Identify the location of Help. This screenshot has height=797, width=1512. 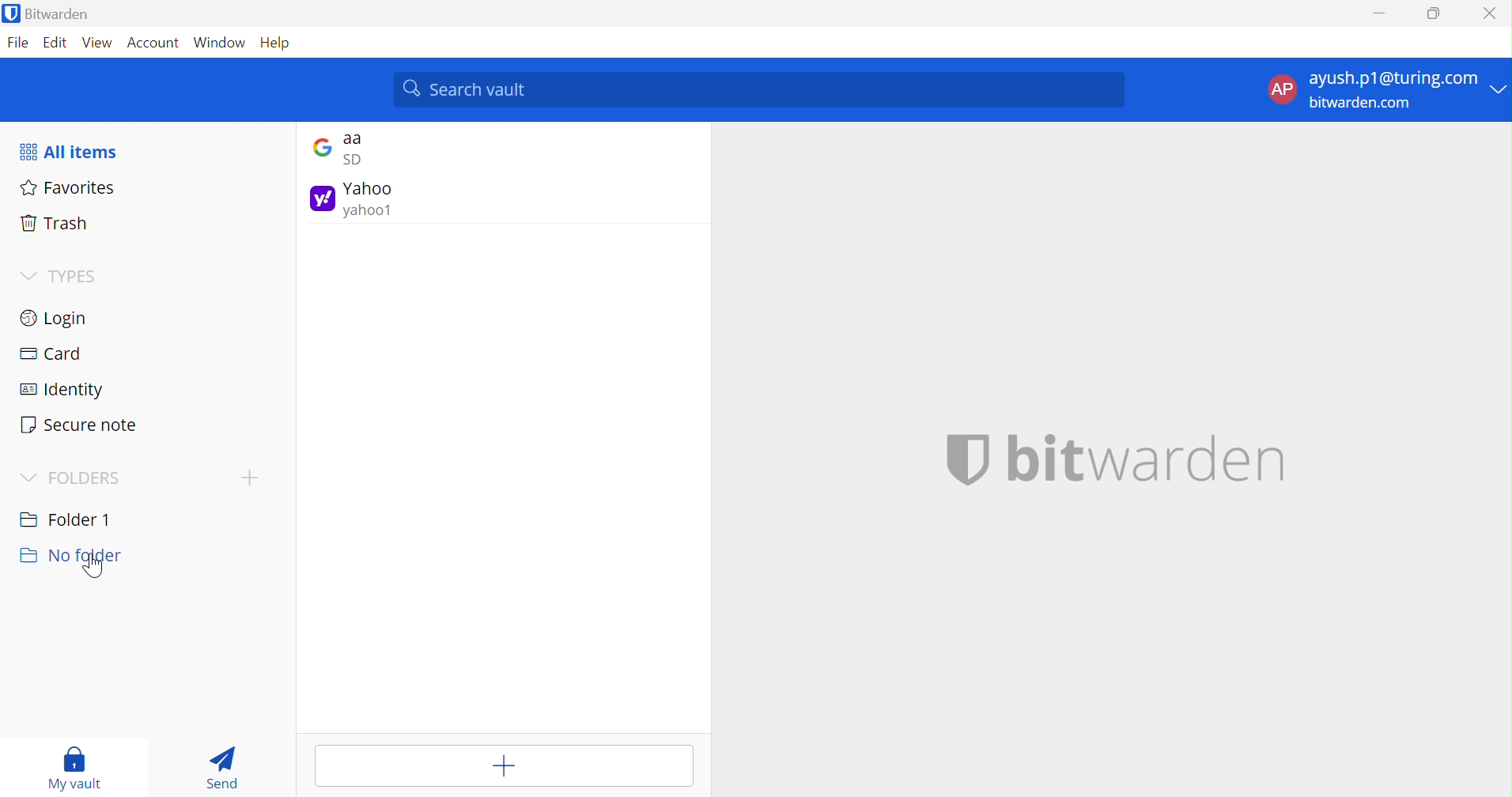
(283, 44).